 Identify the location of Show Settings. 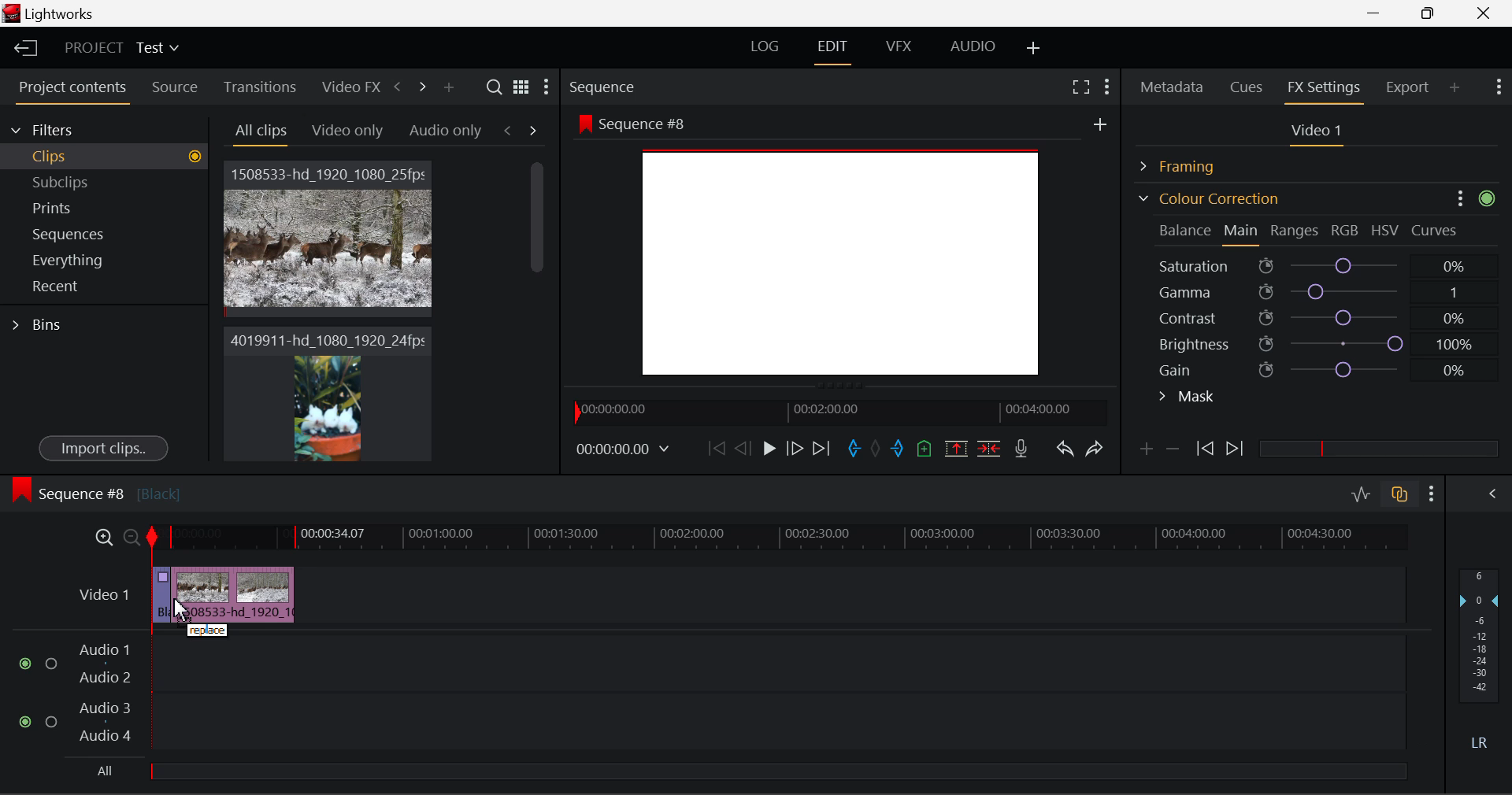
(1106, 84).